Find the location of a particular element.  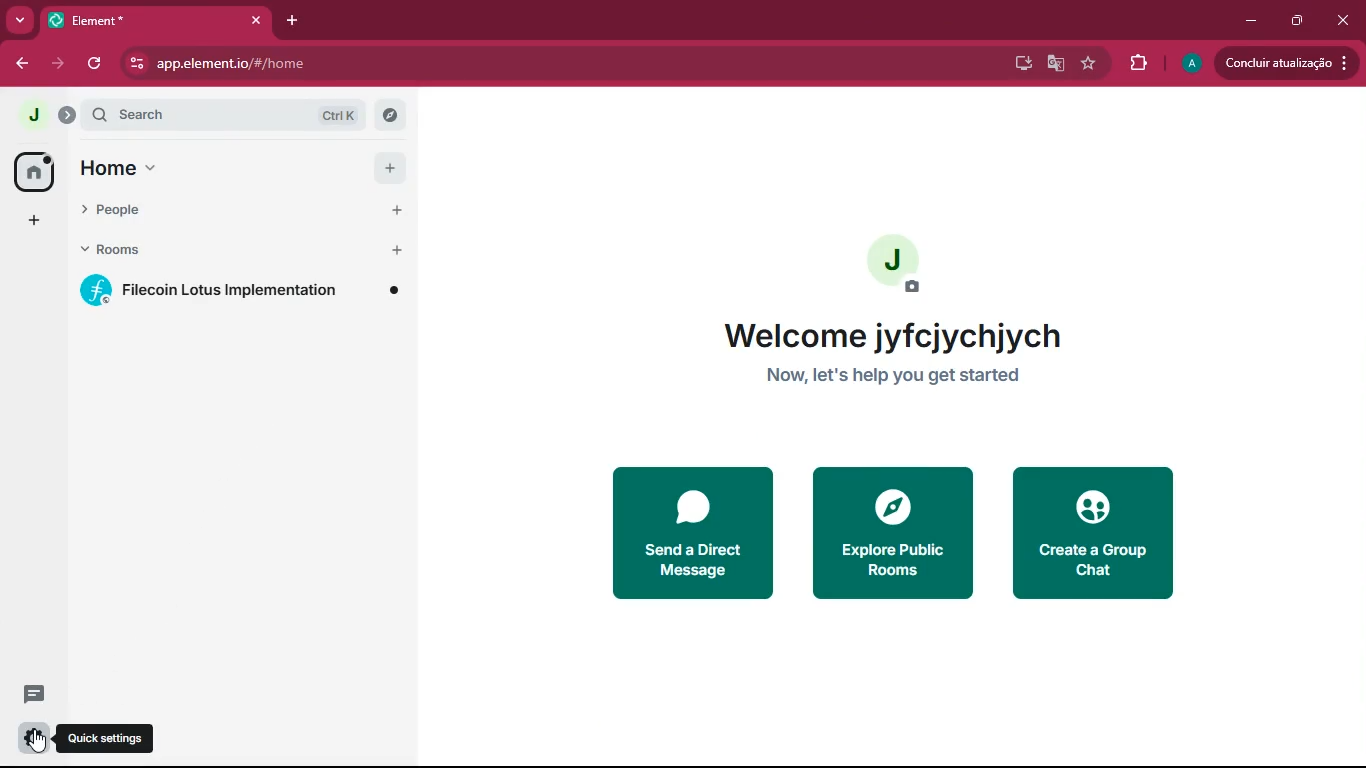

maximize is located at coordinates (1301, 19).